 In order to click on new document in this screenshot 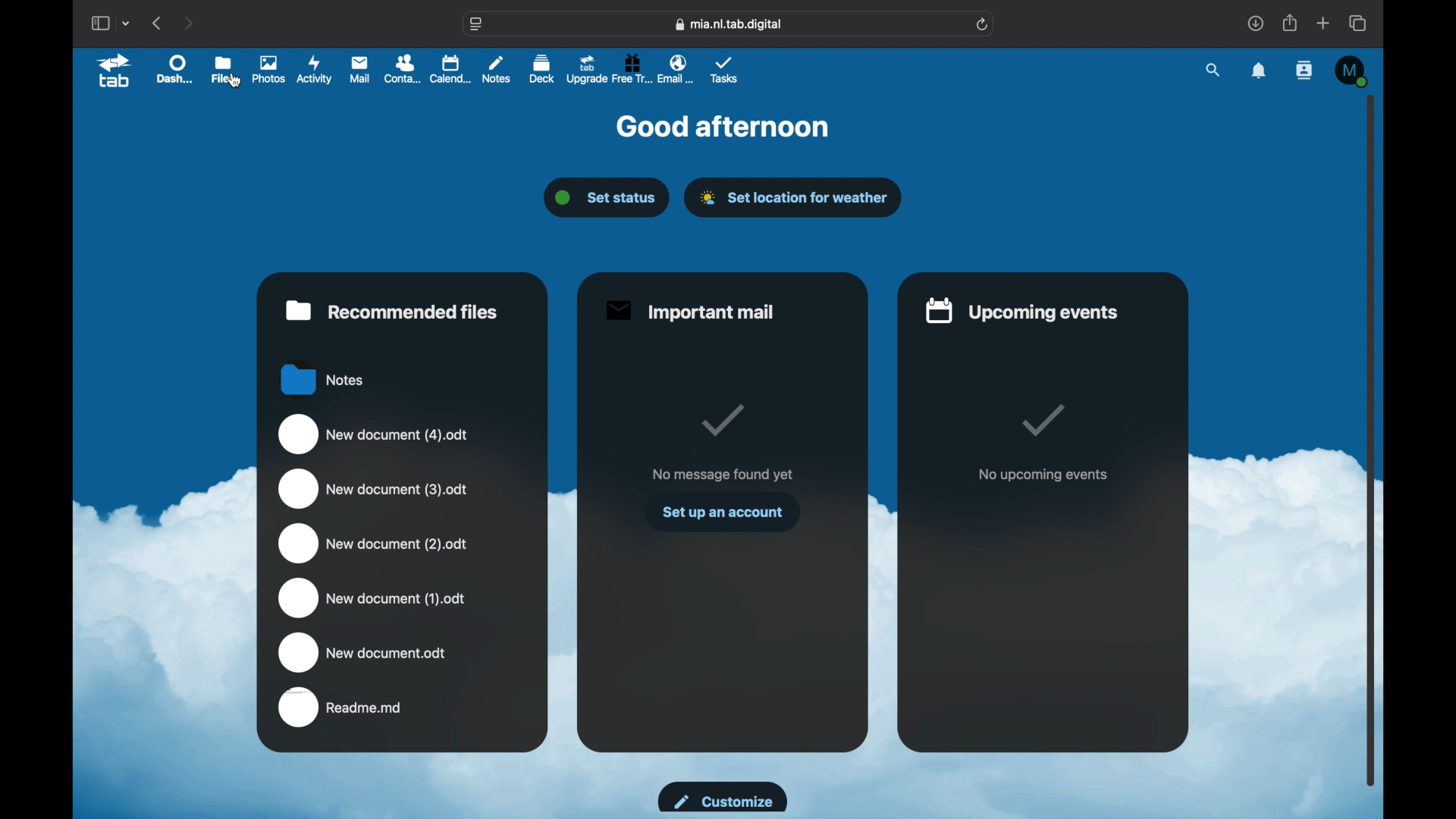, I will do `click(372, 489)`.